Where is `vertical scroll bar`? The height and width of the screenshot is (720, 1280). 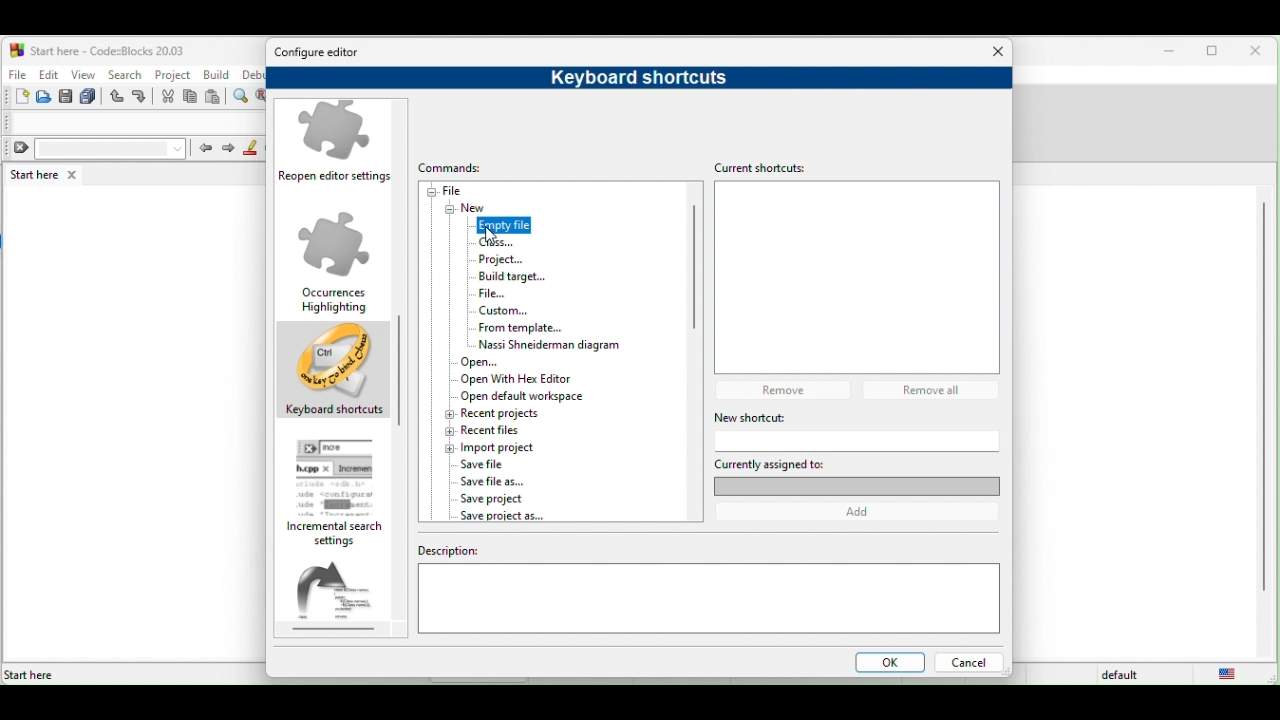 vertical scroll bar is located at coordinates (693, 273).